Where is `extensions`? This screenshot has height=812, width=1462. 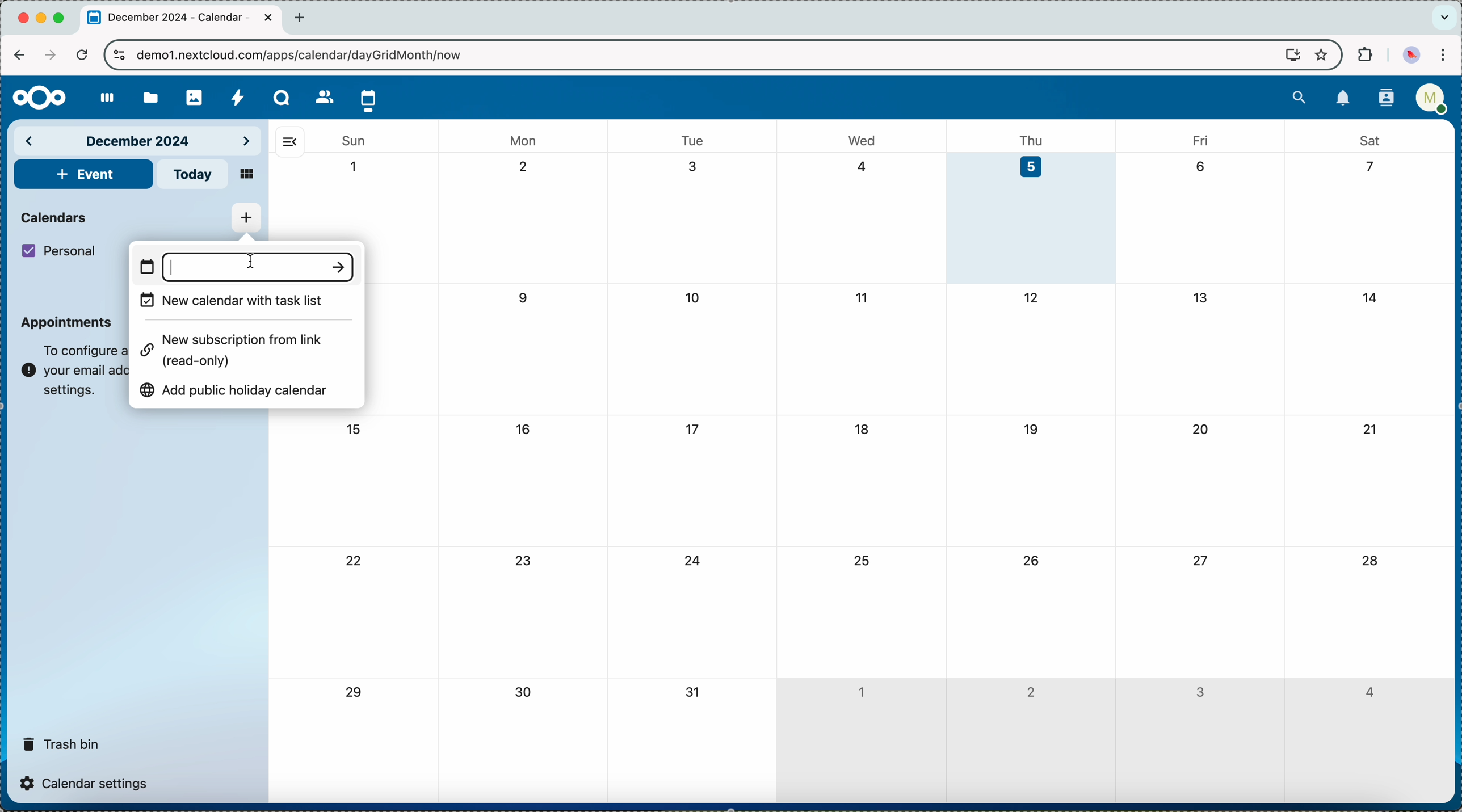 extensions is located at coordinates (1363, 56).